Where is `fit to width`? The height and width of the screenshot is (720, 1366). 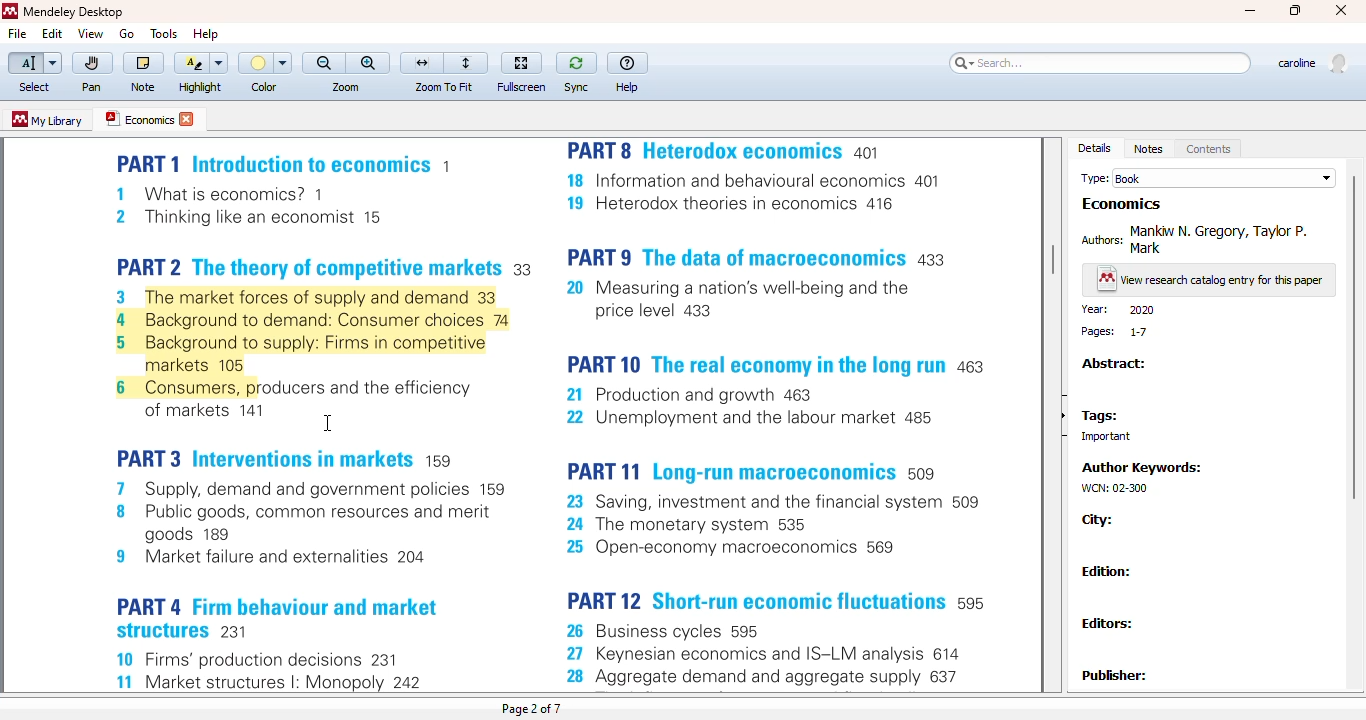 fit to width is located at coordinates (422, 63).